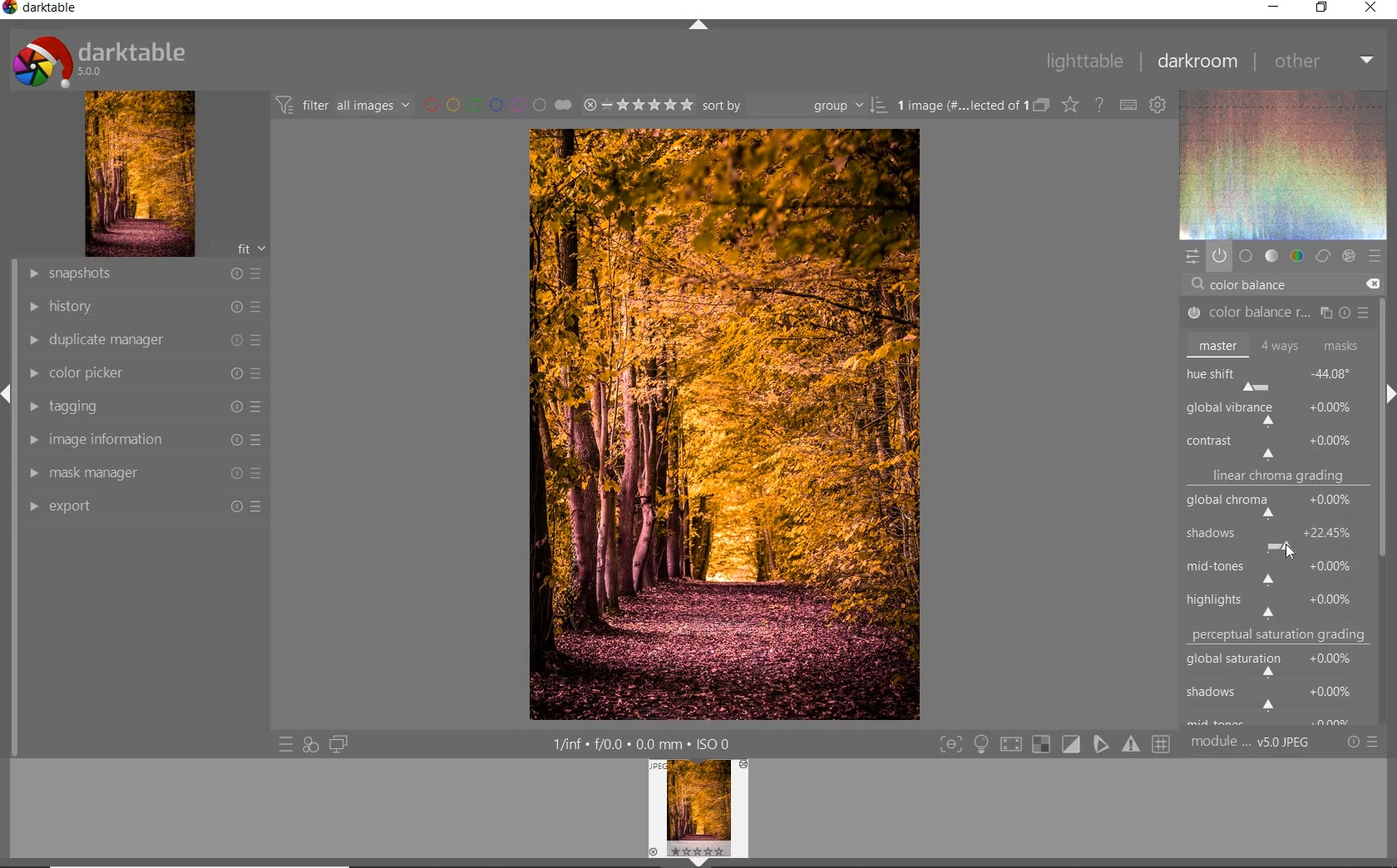 The image size is (1397, 868). I want to click on show global preference, so click(1159, 106).